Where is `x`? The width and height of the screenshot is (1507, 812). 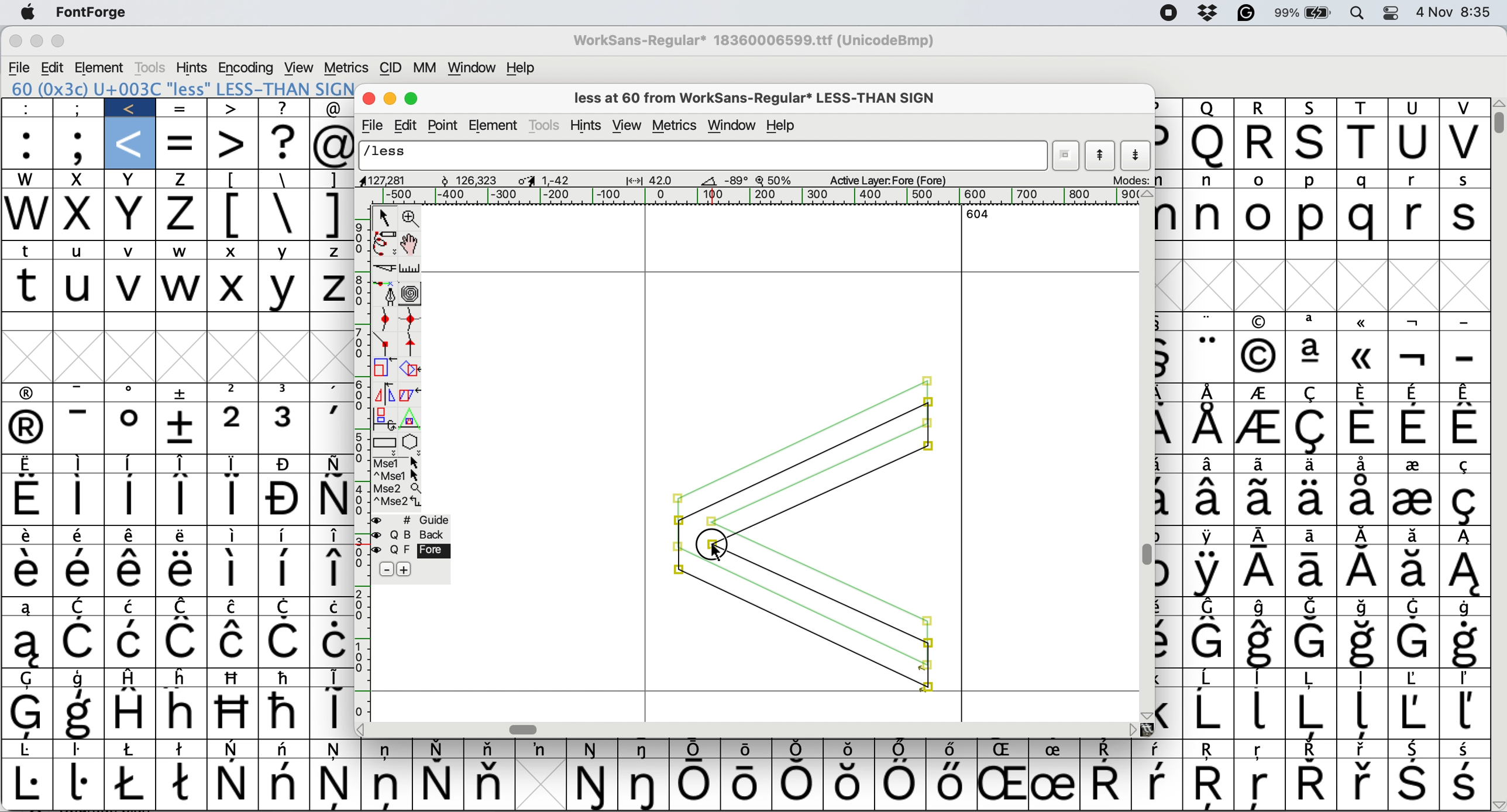 x is located at coordinates (80, 215).